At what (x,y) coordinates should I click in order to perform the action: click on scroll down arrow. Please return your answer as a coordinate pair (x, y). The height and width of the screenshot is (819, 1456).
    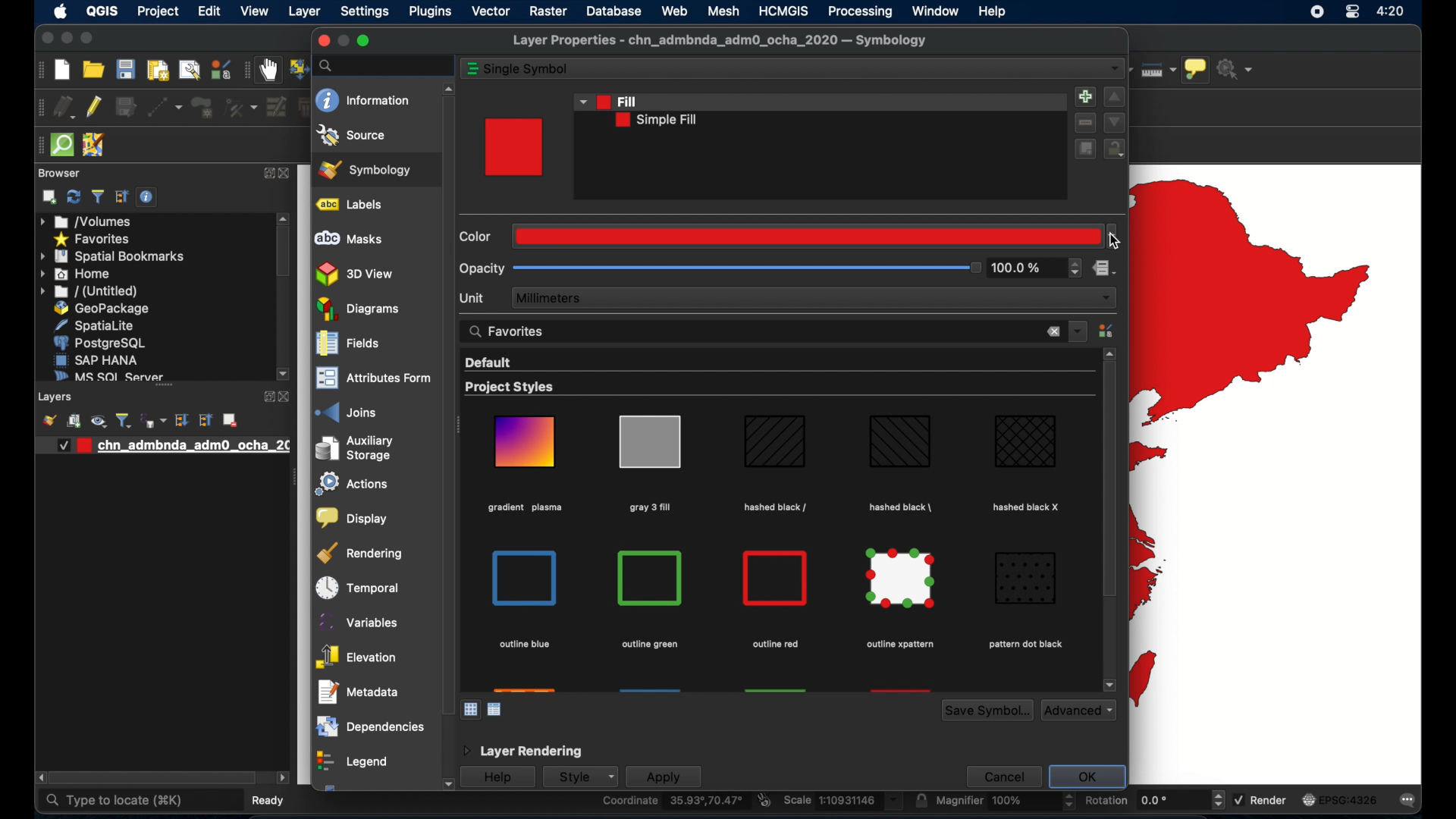
    Looking at the image, I should click on (284, 375).